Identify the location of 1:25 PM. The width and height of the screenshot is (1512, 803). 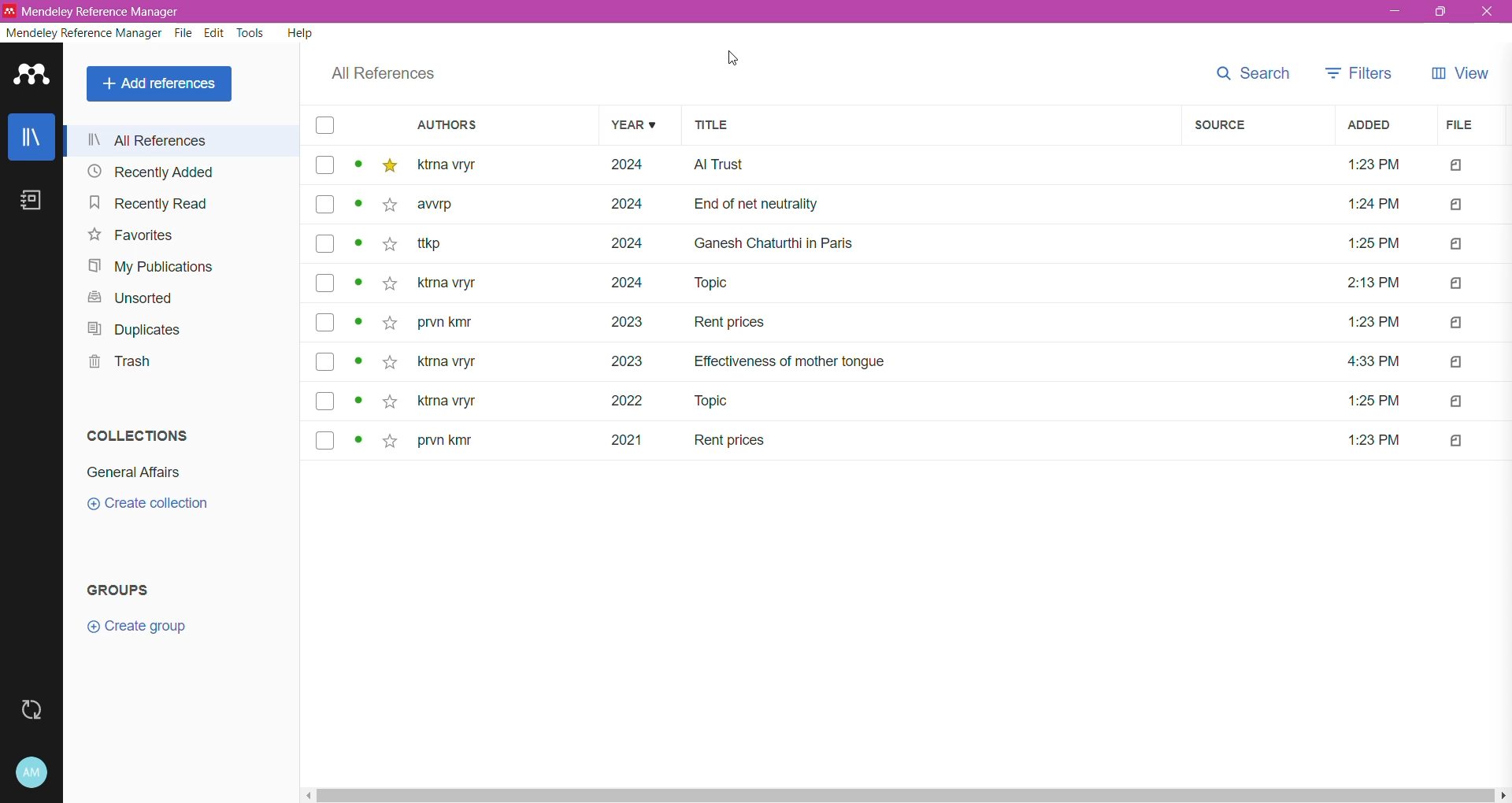
(1373, 398).